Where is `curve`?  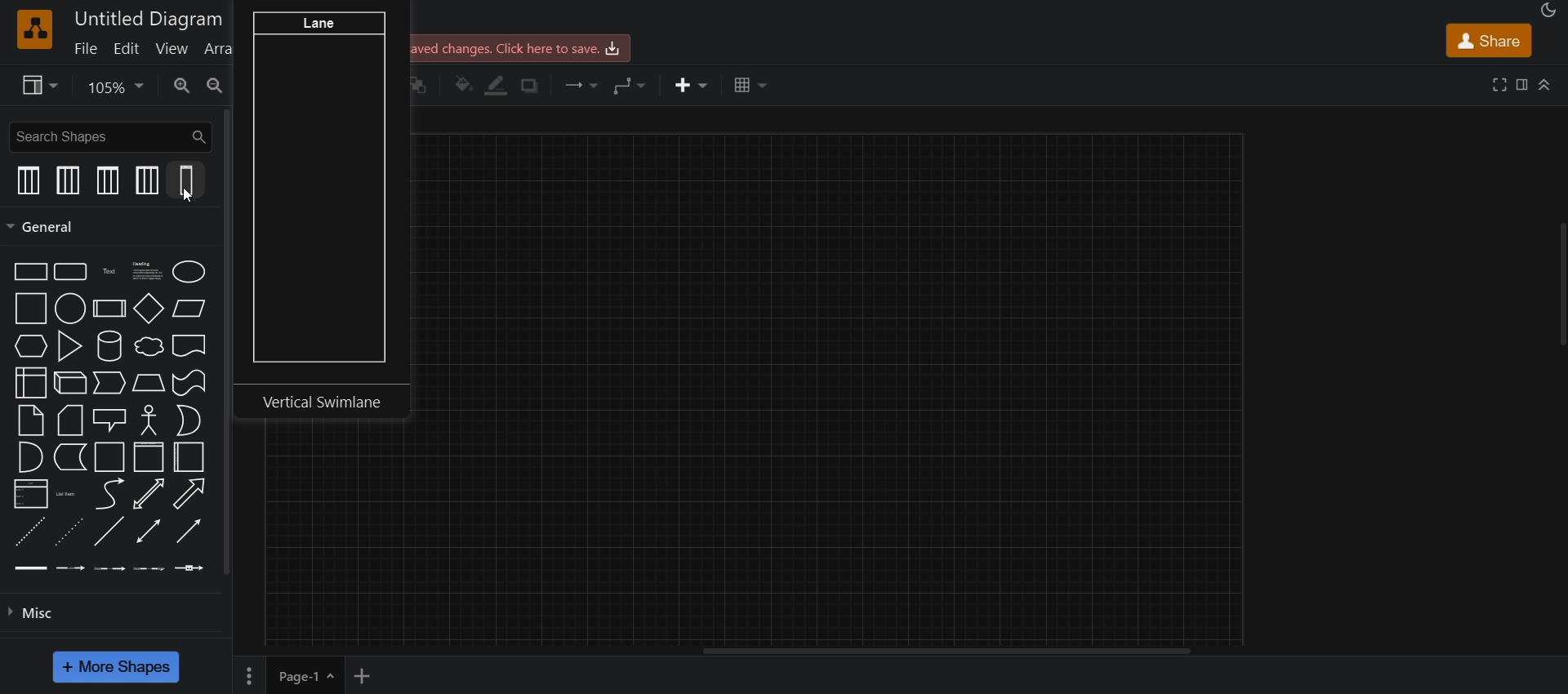
curve is located at coordinates (110, 496).